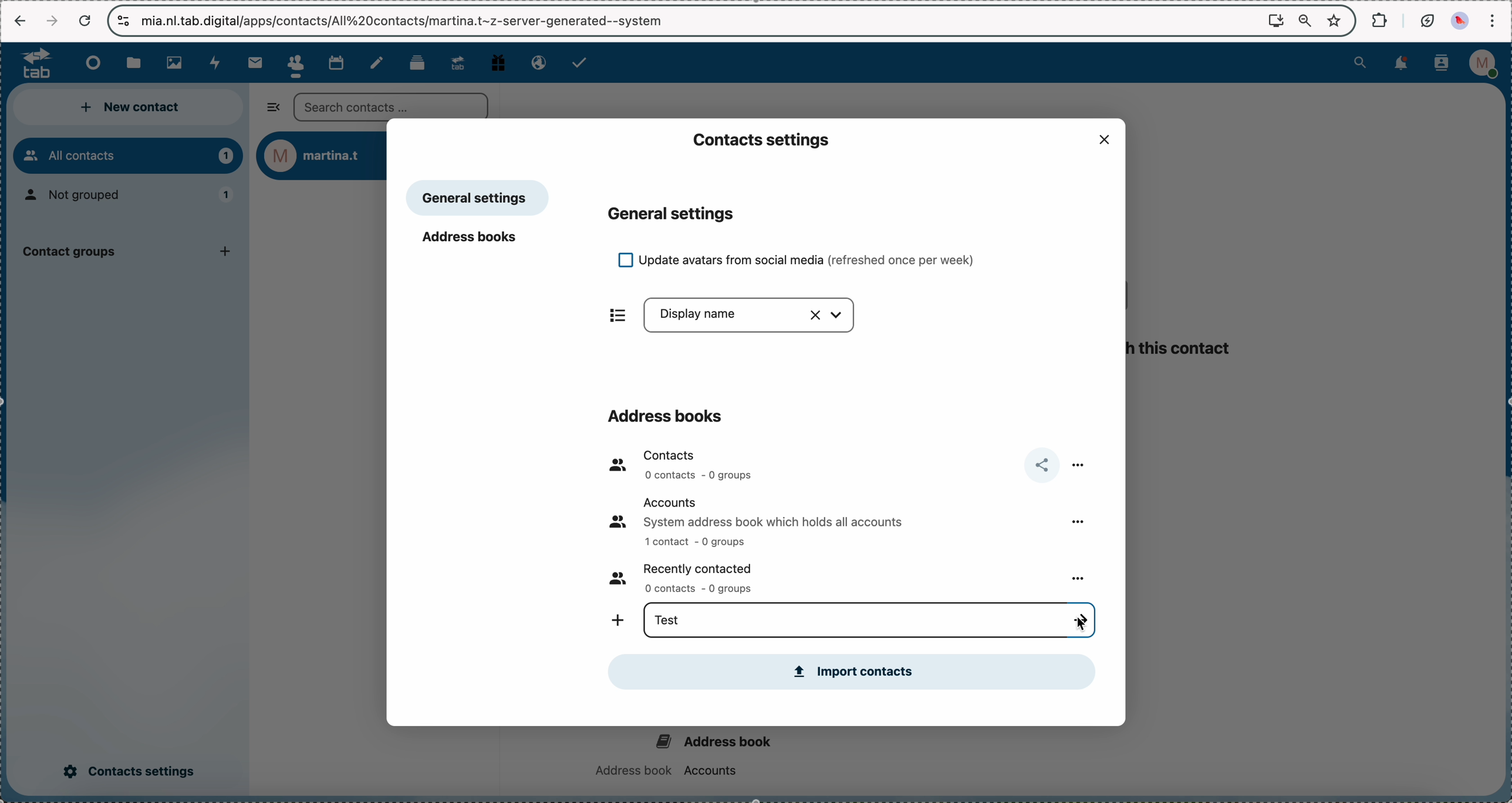 The image size is (1512, 803). Describe the element at coordinates (176, 63) in the screenshot. I see `photos` at that location.